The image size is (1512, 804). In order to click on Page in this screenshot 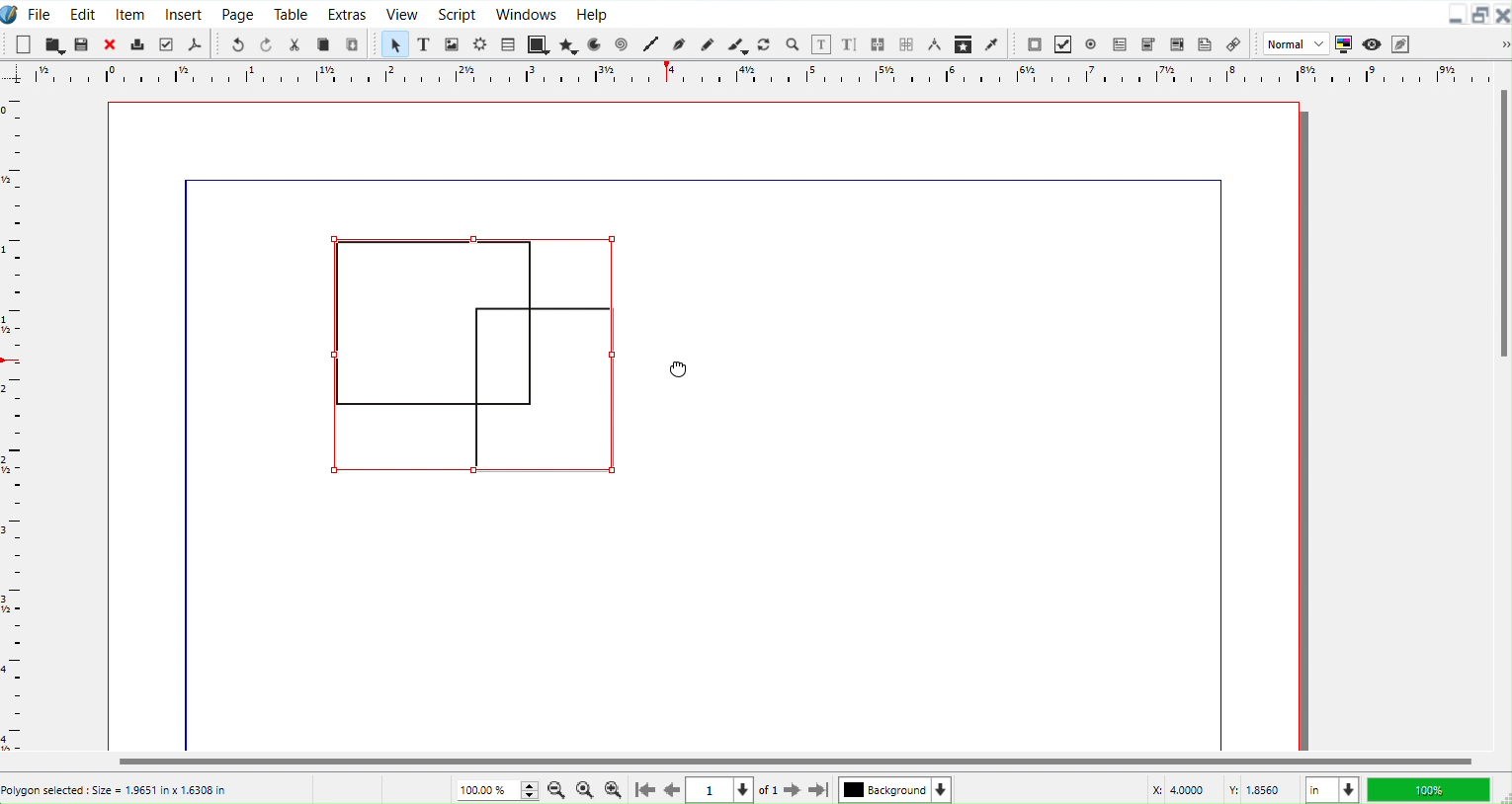, I will do `click(236, 13)`.